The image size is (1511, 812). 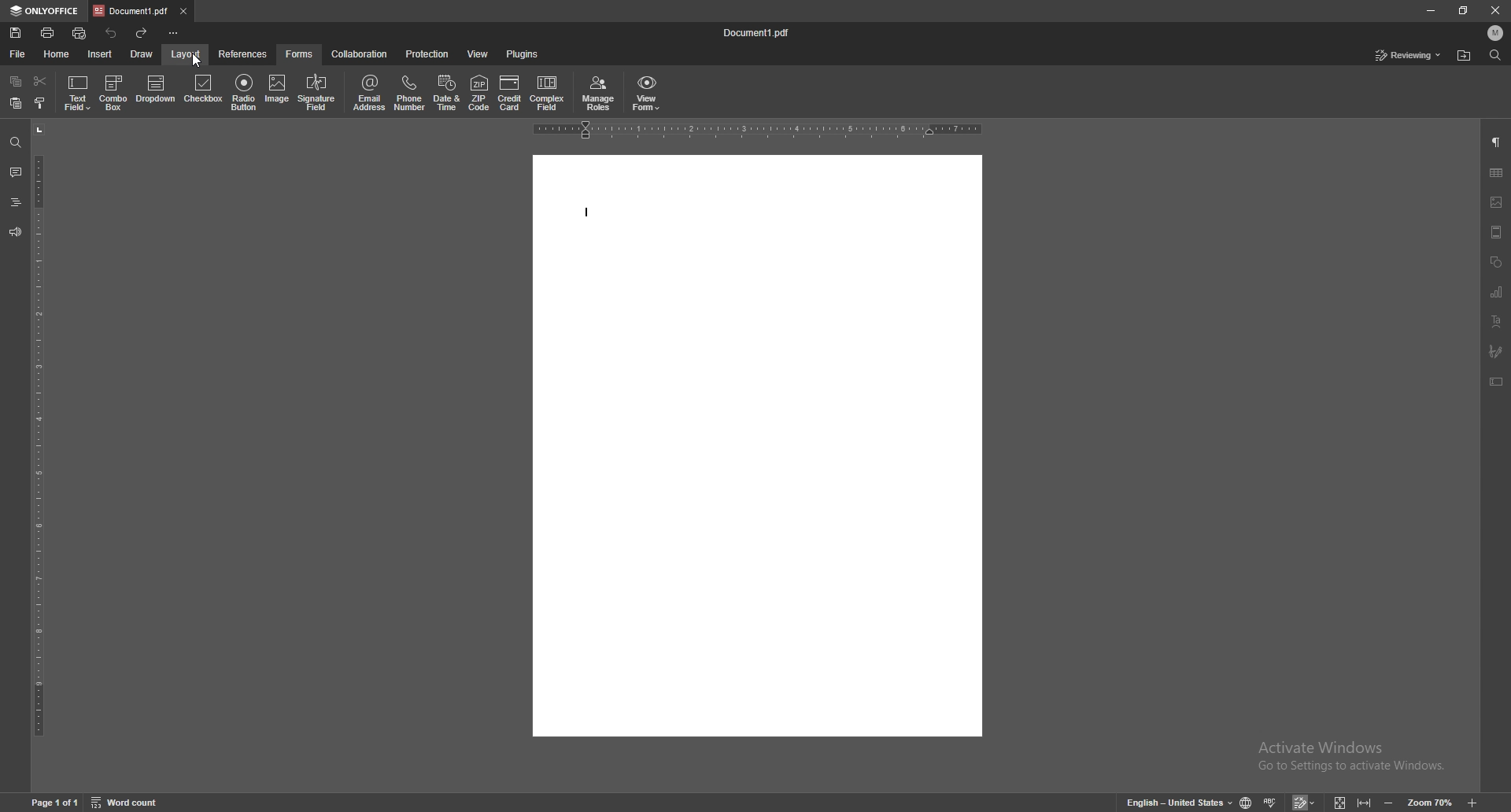 What do you see at coordinates (1409, 55) in the screenshot?
I see `status` at bounding box center [1409, 55].